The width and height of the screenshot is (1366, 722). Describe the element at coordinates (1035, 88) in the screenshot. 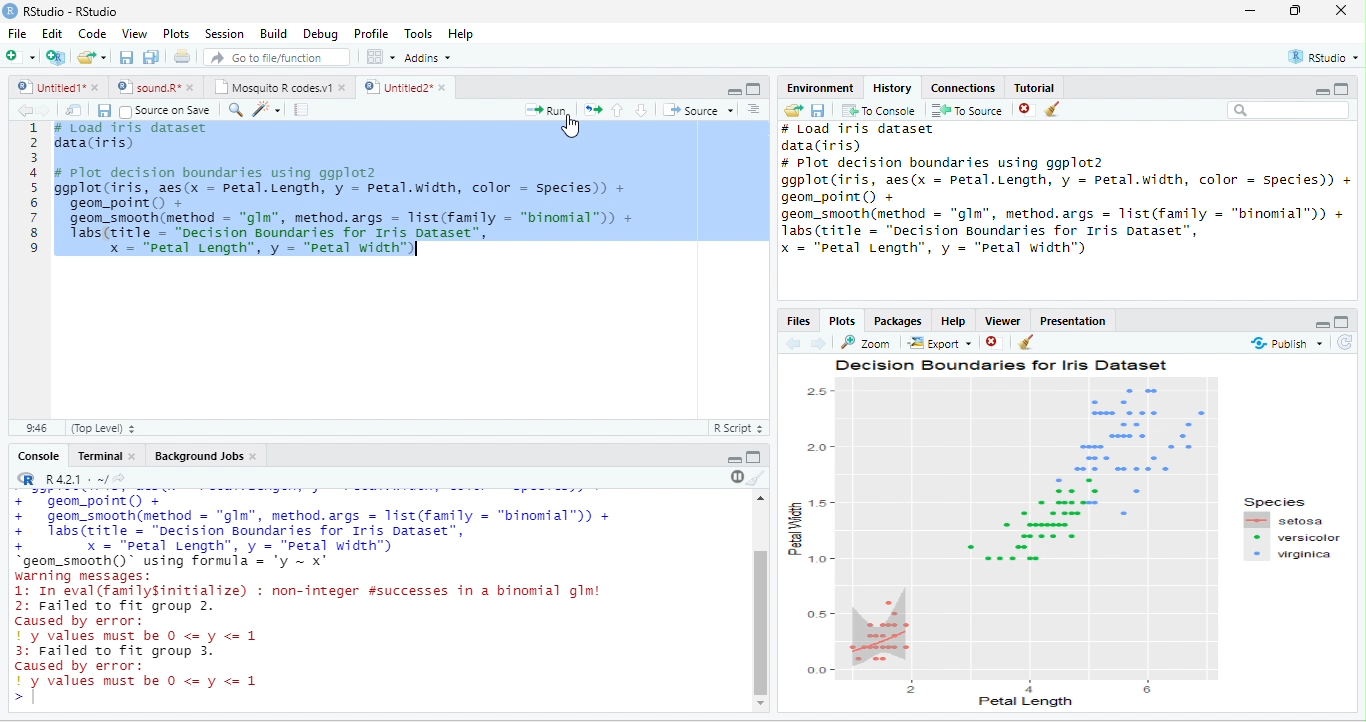

I see `Tutorial` at that location.